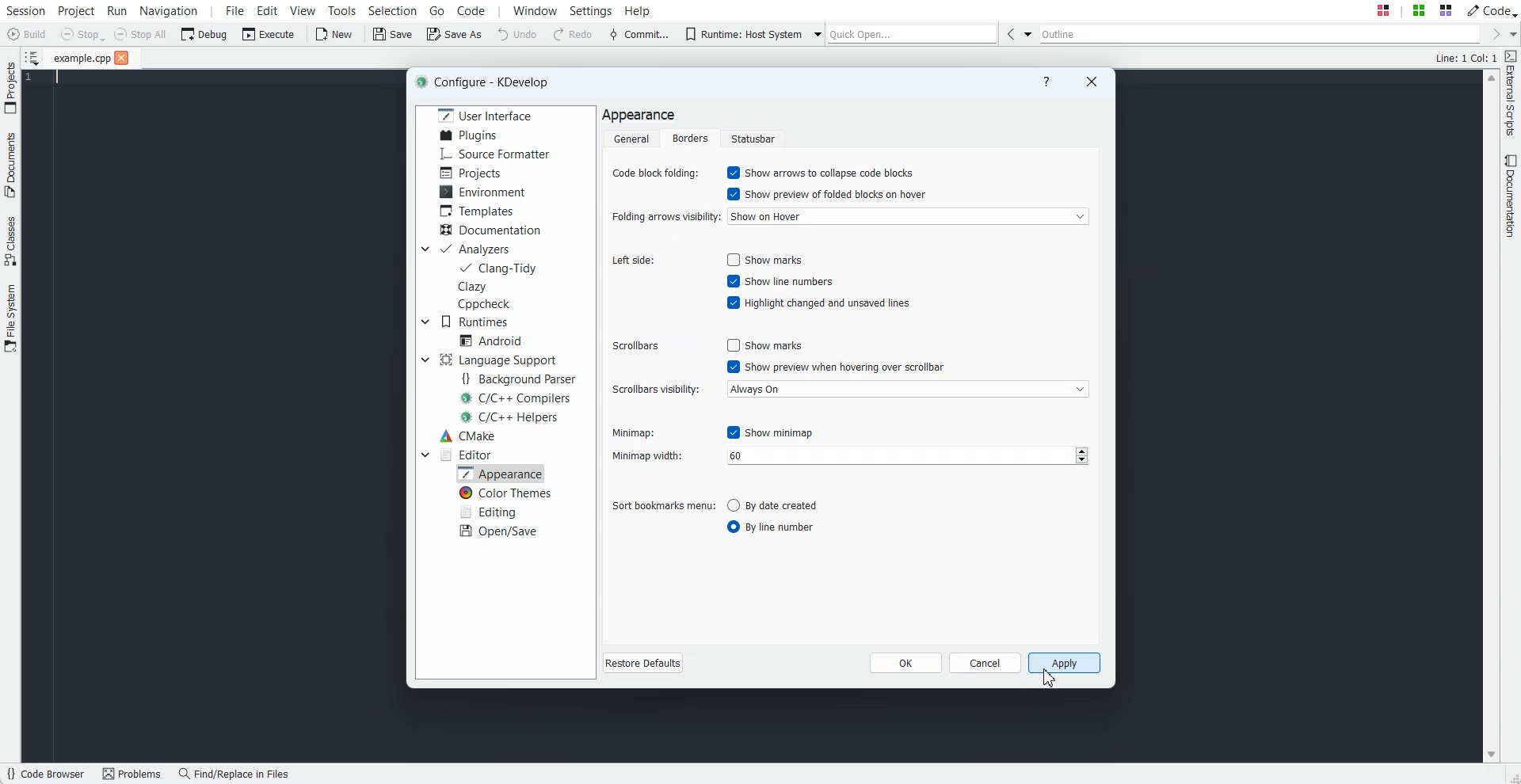 This screenshot has width=1521, height=784. What do you see at coordinates (235, 774) in the screenshot?
I see `Find/Replace in Files` at bounding box center [235, 774].